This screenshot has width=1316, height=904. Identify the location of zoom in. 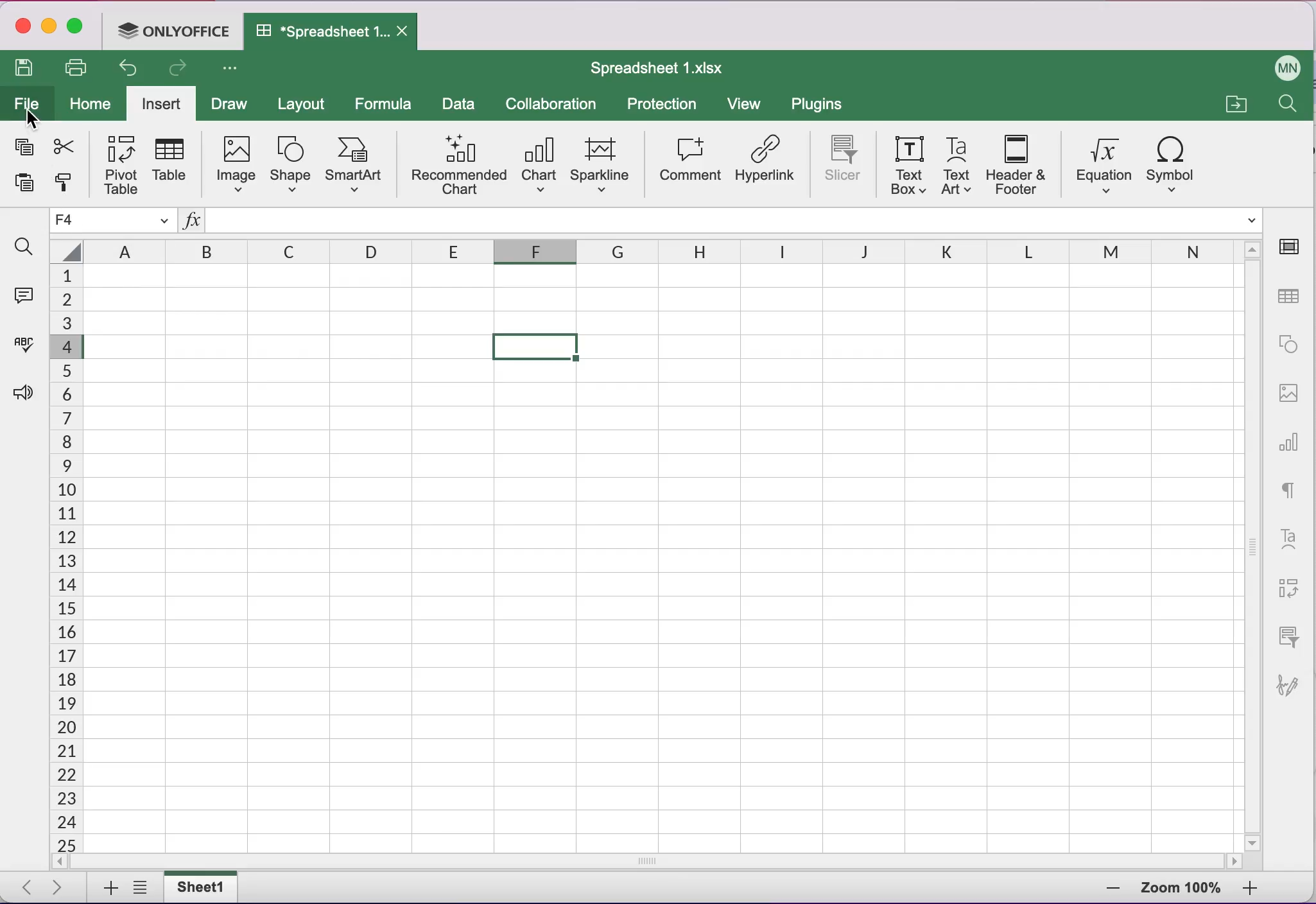
(1102, 889).